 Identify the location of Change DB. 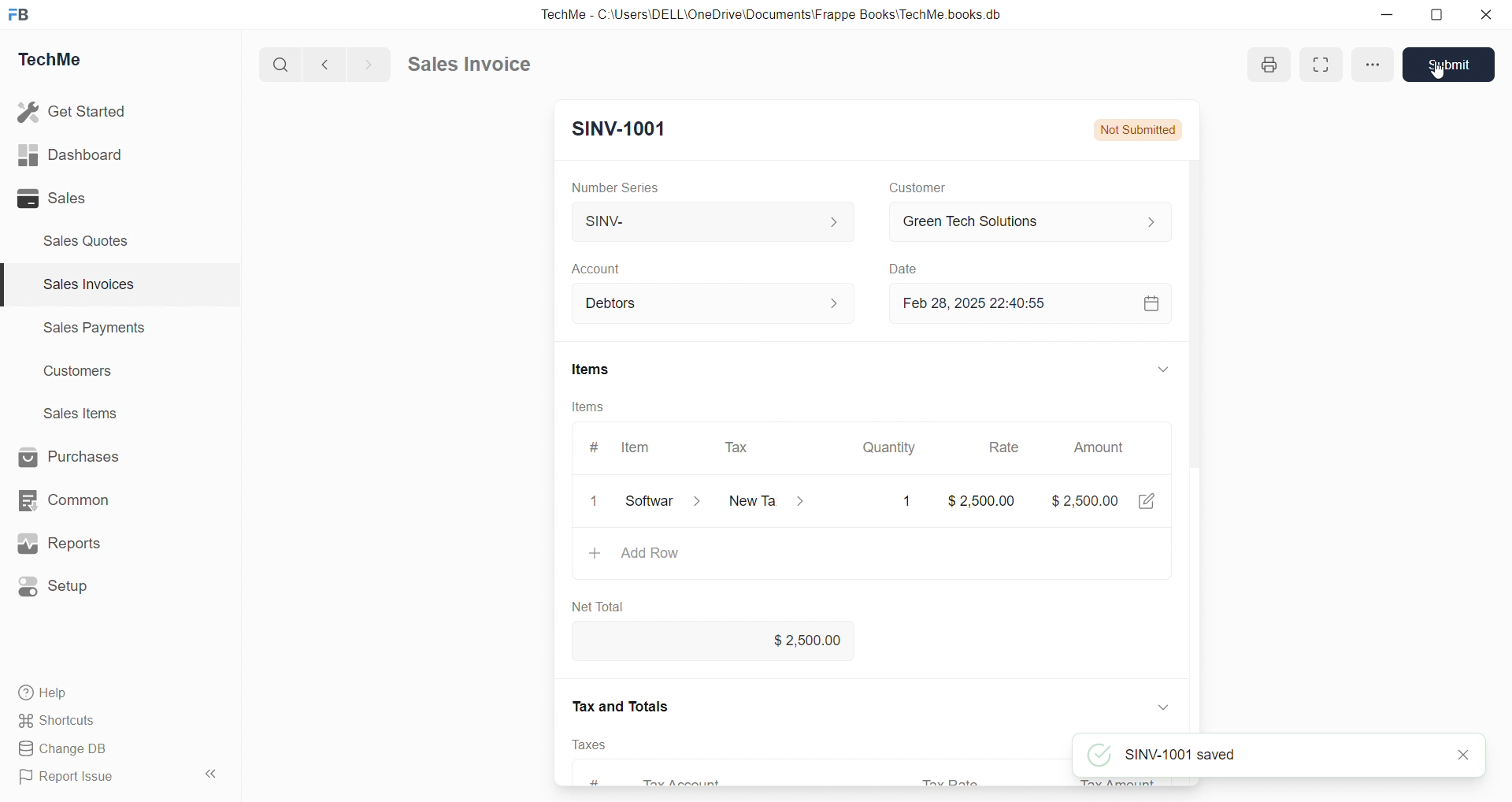
(69, 749).